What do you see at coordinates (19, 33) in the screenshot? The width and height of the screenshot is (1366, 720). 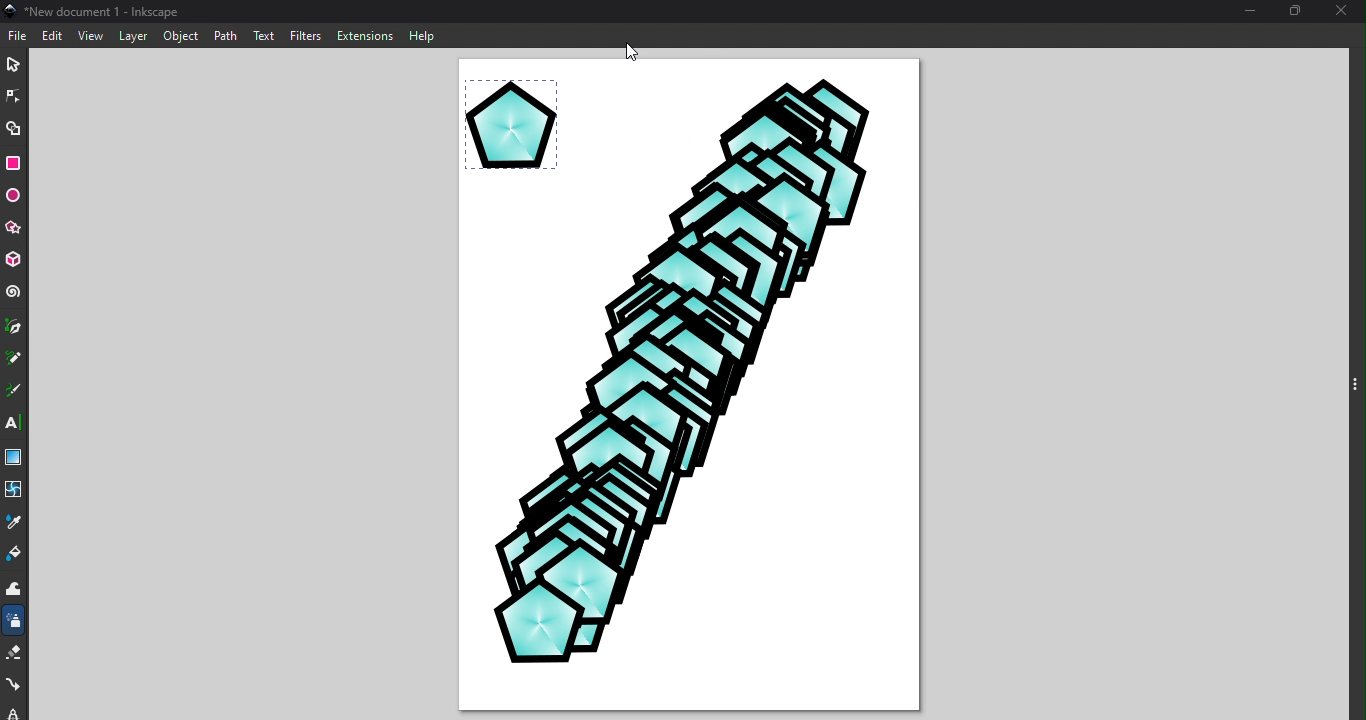 I see `File` at bounding box center [19, 33].